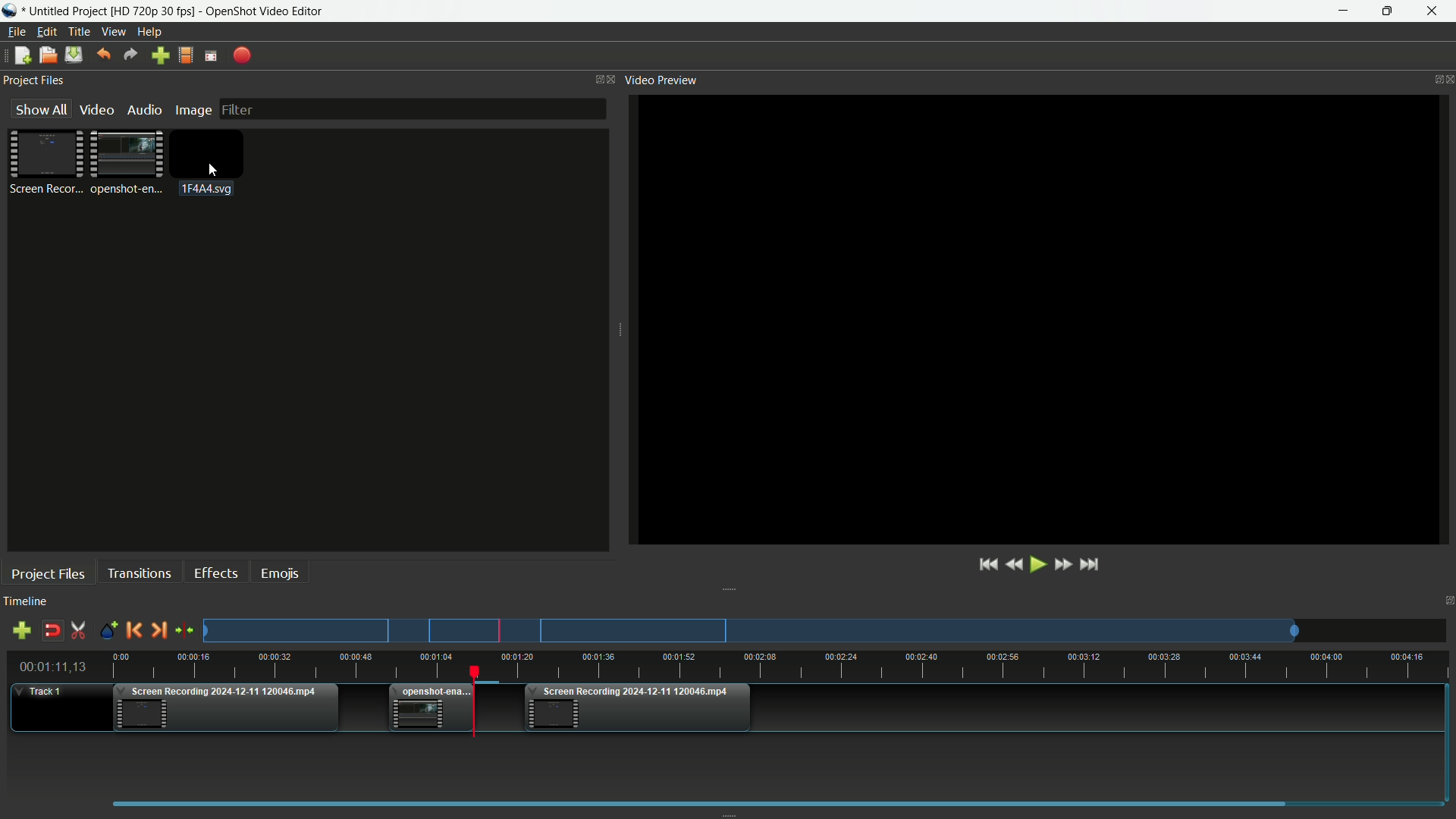  What do you see at coordinates (1040, 565) in the screenshot?
I see `Play or pause` at bounding box center [1040, 565].